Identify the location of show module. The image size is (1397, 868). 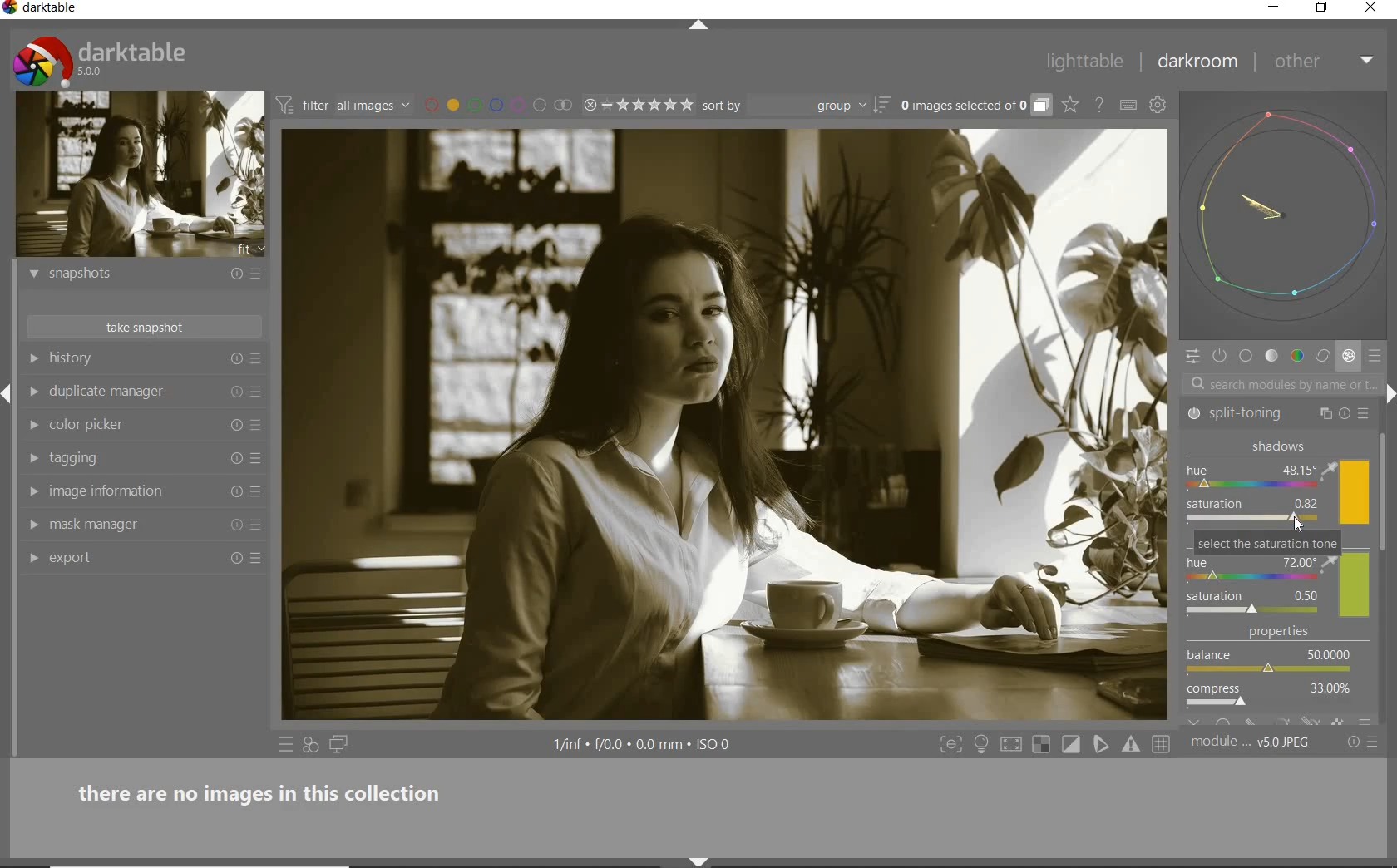
(31, 491).